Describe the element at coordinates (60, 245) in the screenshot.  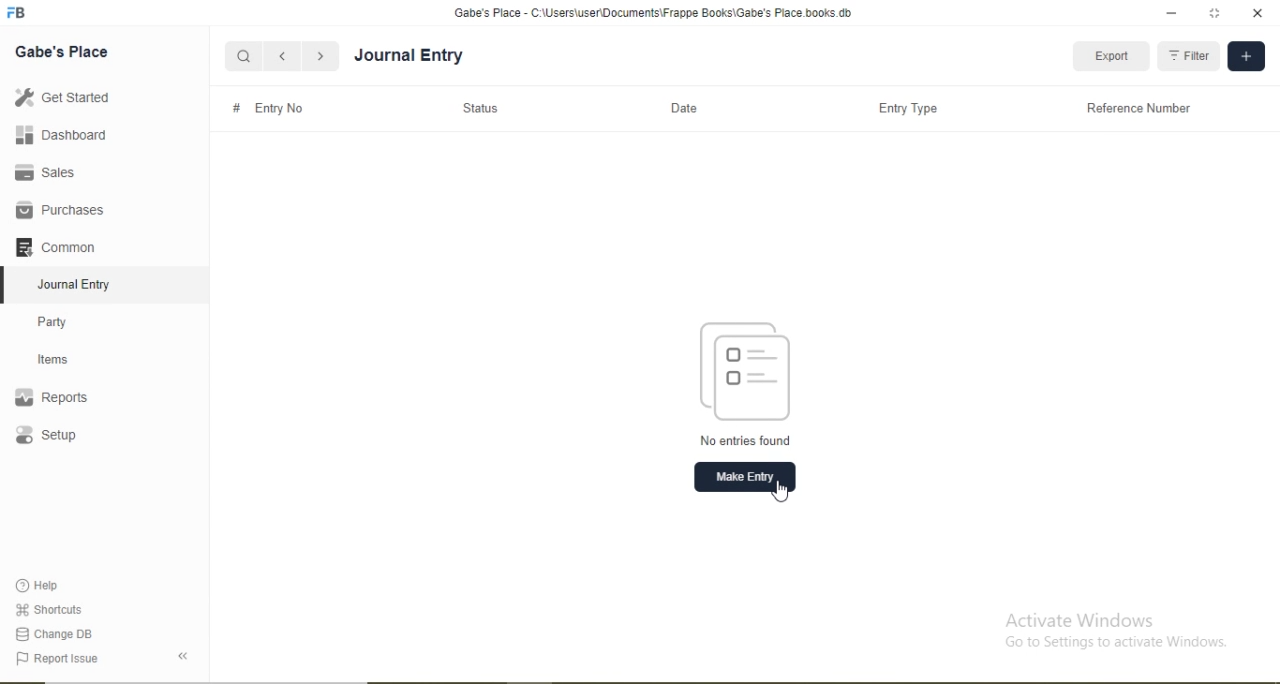
I see `Common` at that location.